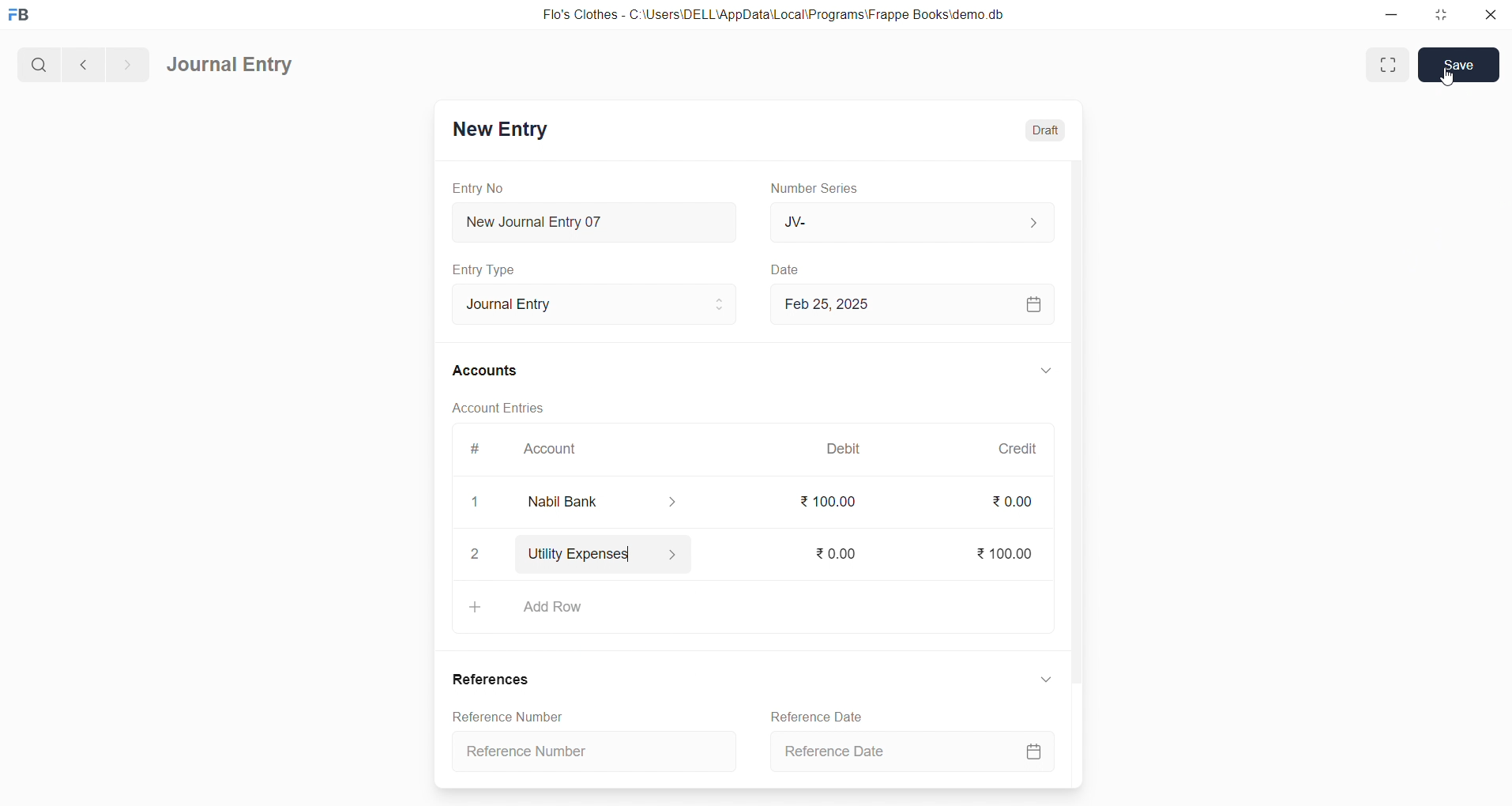 This screenshot has height=806, width=1512. What do you see at coordinates (473, 449) in the screenshot?
I see `#` at bounding box center [473, 449].